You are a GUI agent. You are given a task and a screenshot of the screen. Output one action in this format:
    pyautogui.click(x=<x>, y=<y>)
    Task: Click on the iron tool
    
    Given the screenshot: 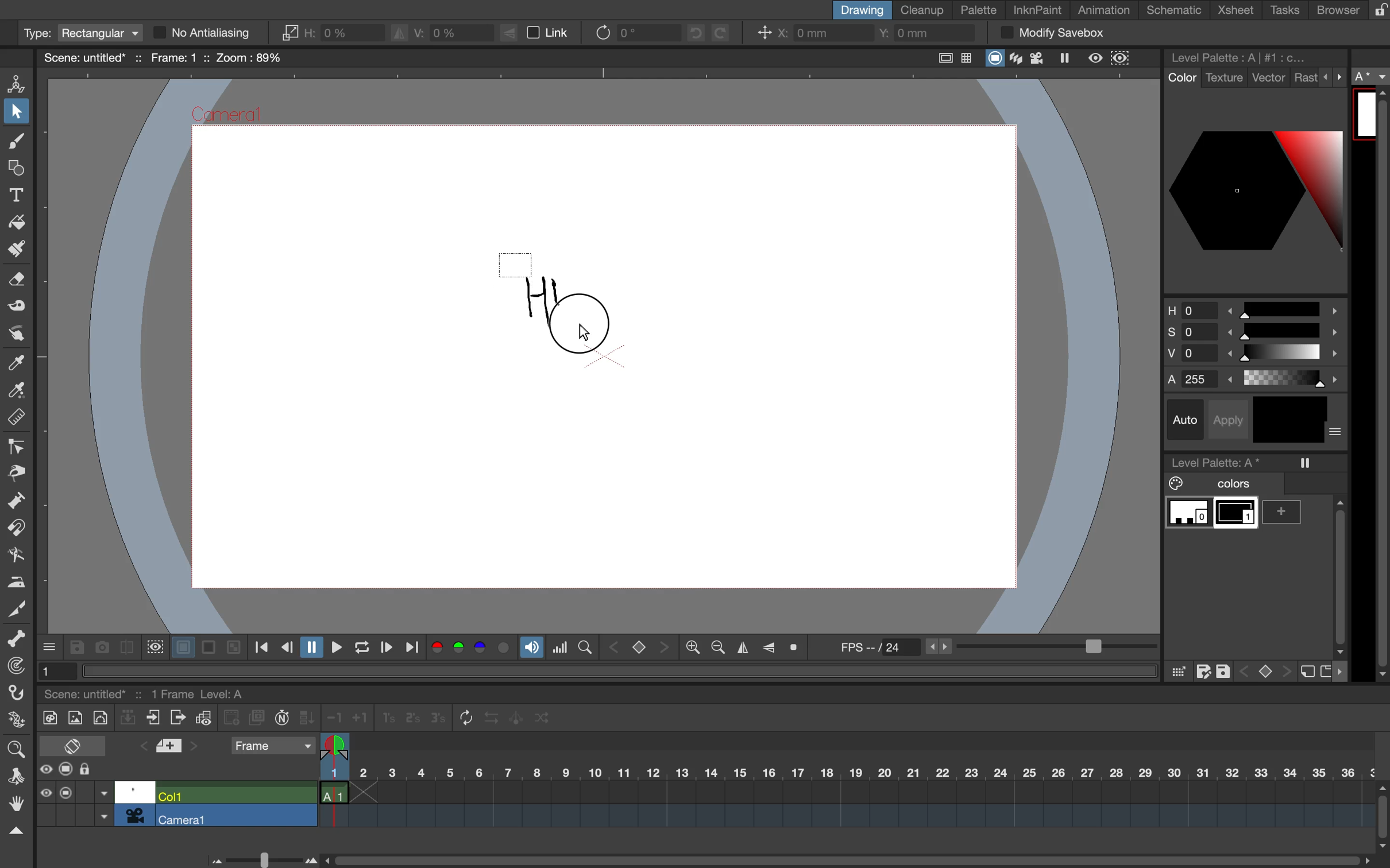 What is the action you would take?
    pyautogui.click(x=17, y=580)
    